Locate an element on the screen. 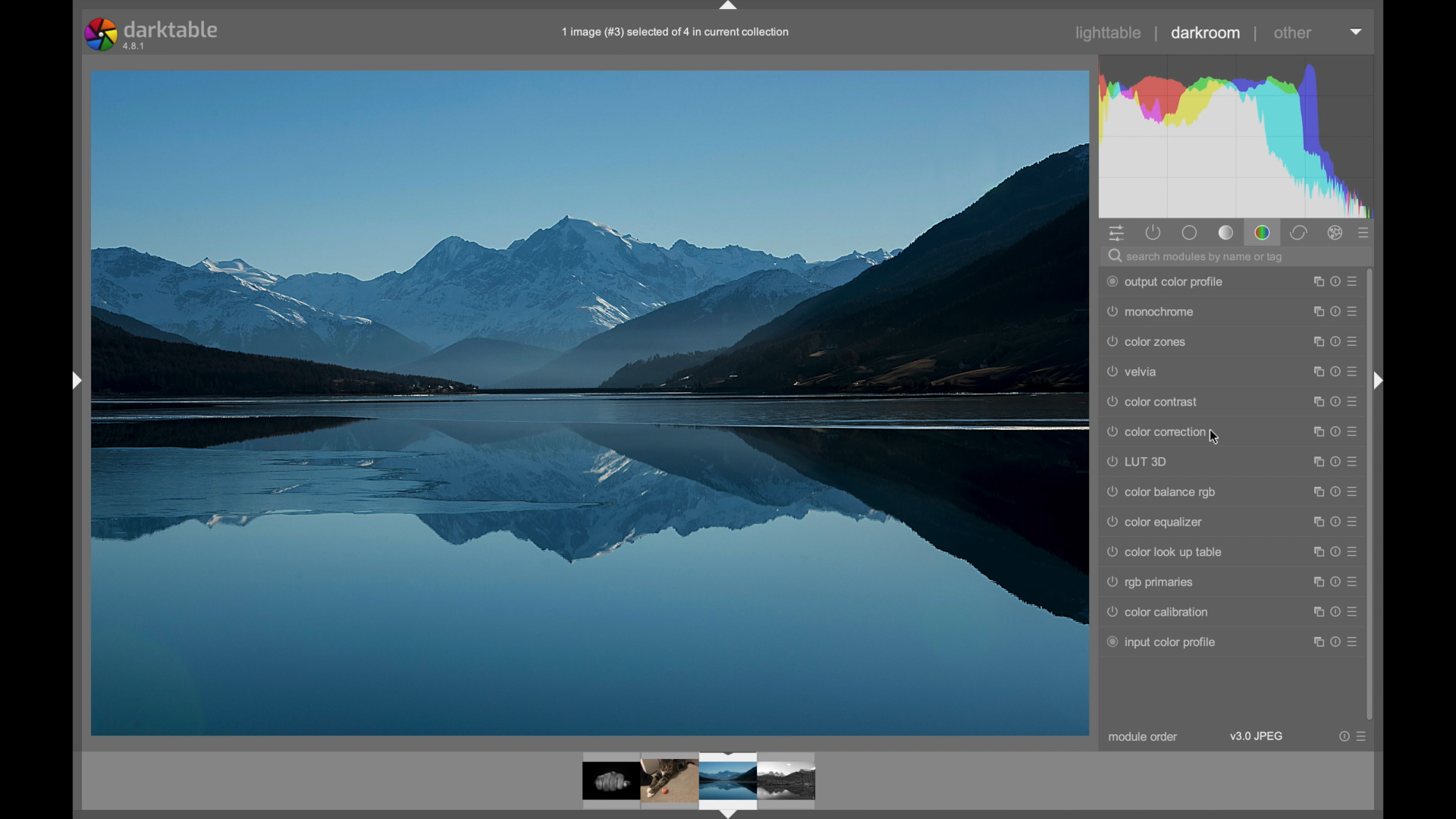 This screenshot has height=819, width=1456. color calibration is located at coordinates (1156, 612).